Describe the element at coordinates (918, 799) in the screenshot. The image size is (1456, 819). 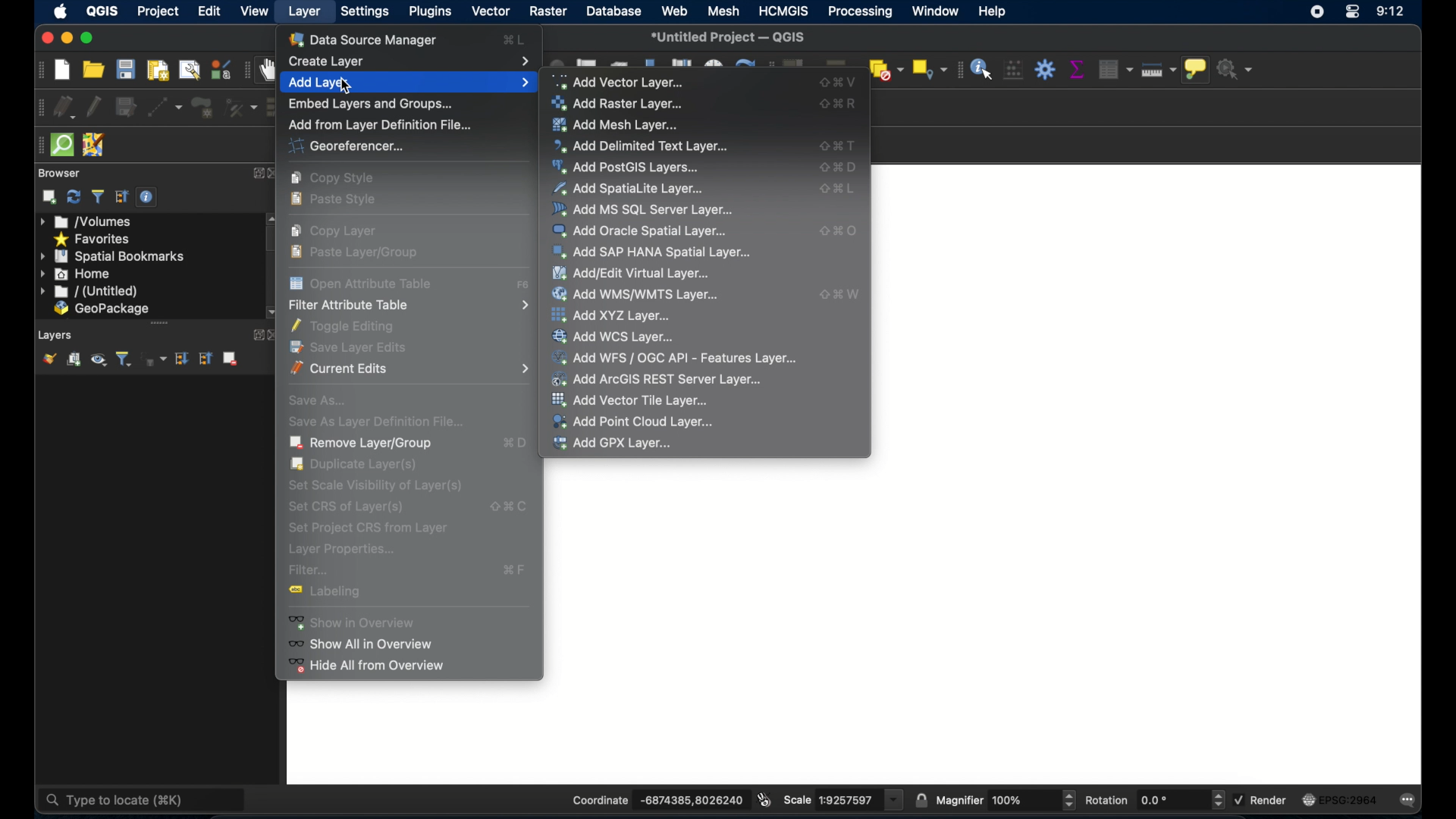
I see `lock scale` at that location.